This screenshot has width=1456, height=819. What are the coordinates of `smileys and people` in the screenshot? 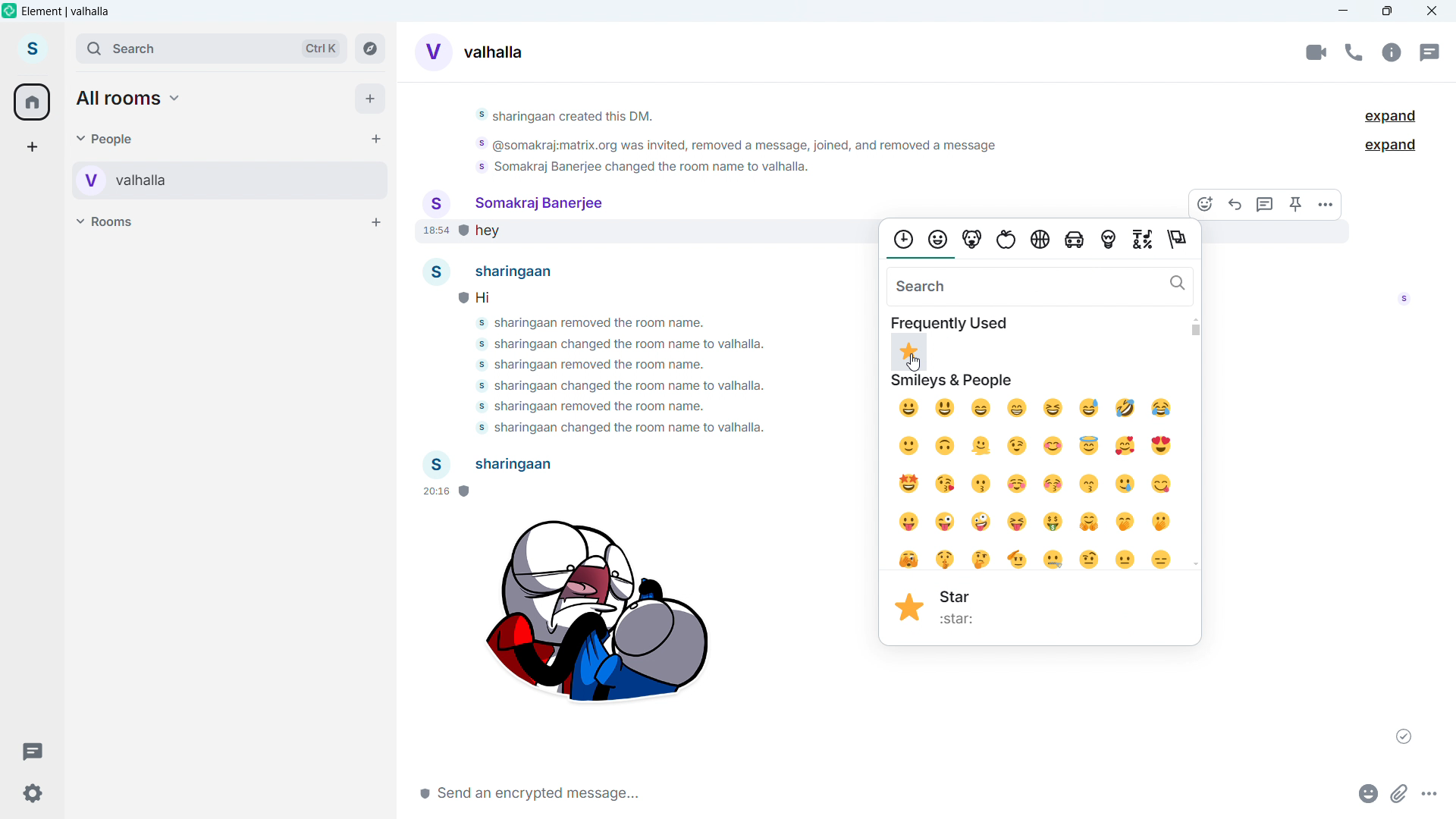 It's located at (941, 238).